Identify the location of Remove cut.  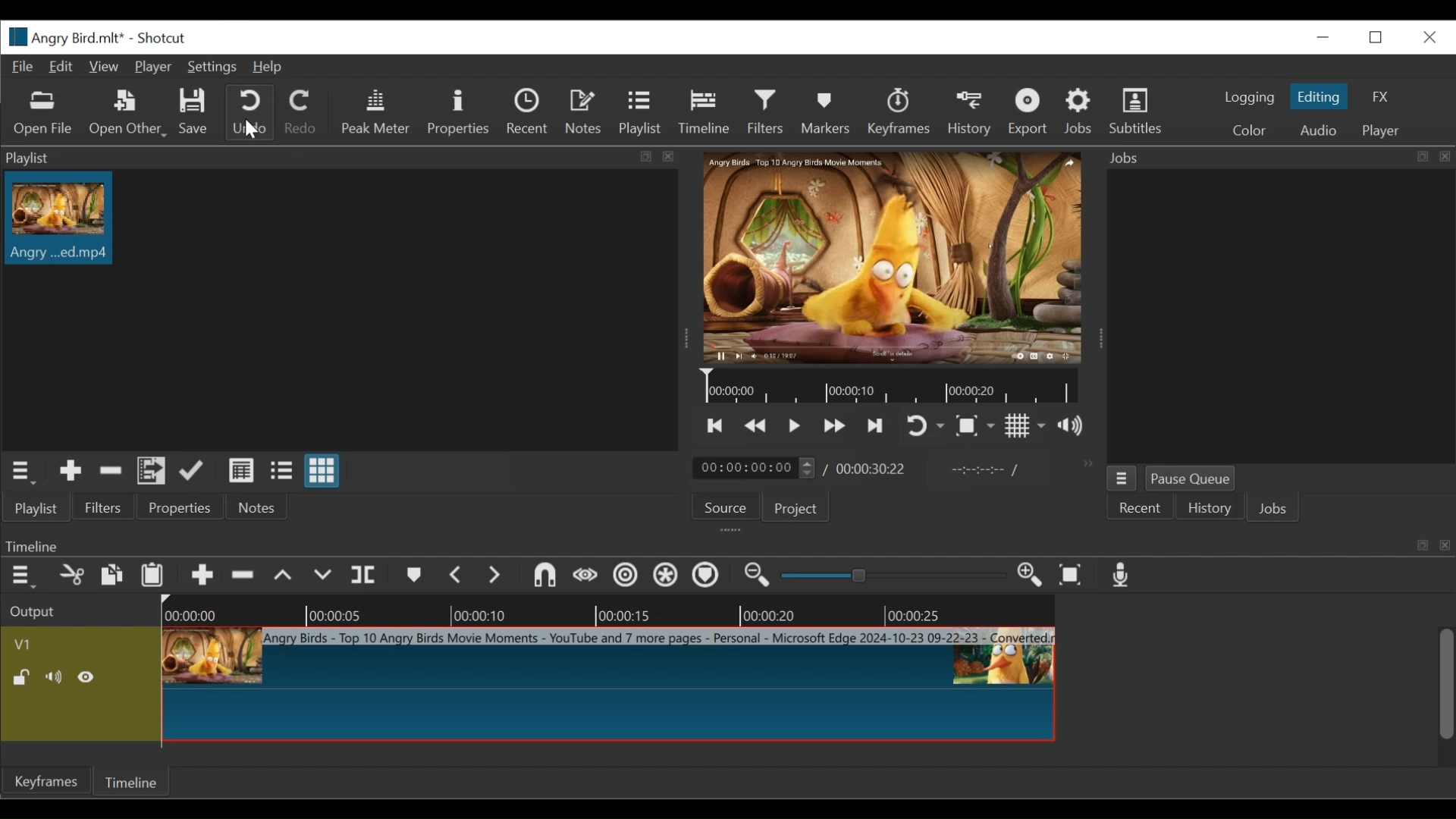
(72, 577).